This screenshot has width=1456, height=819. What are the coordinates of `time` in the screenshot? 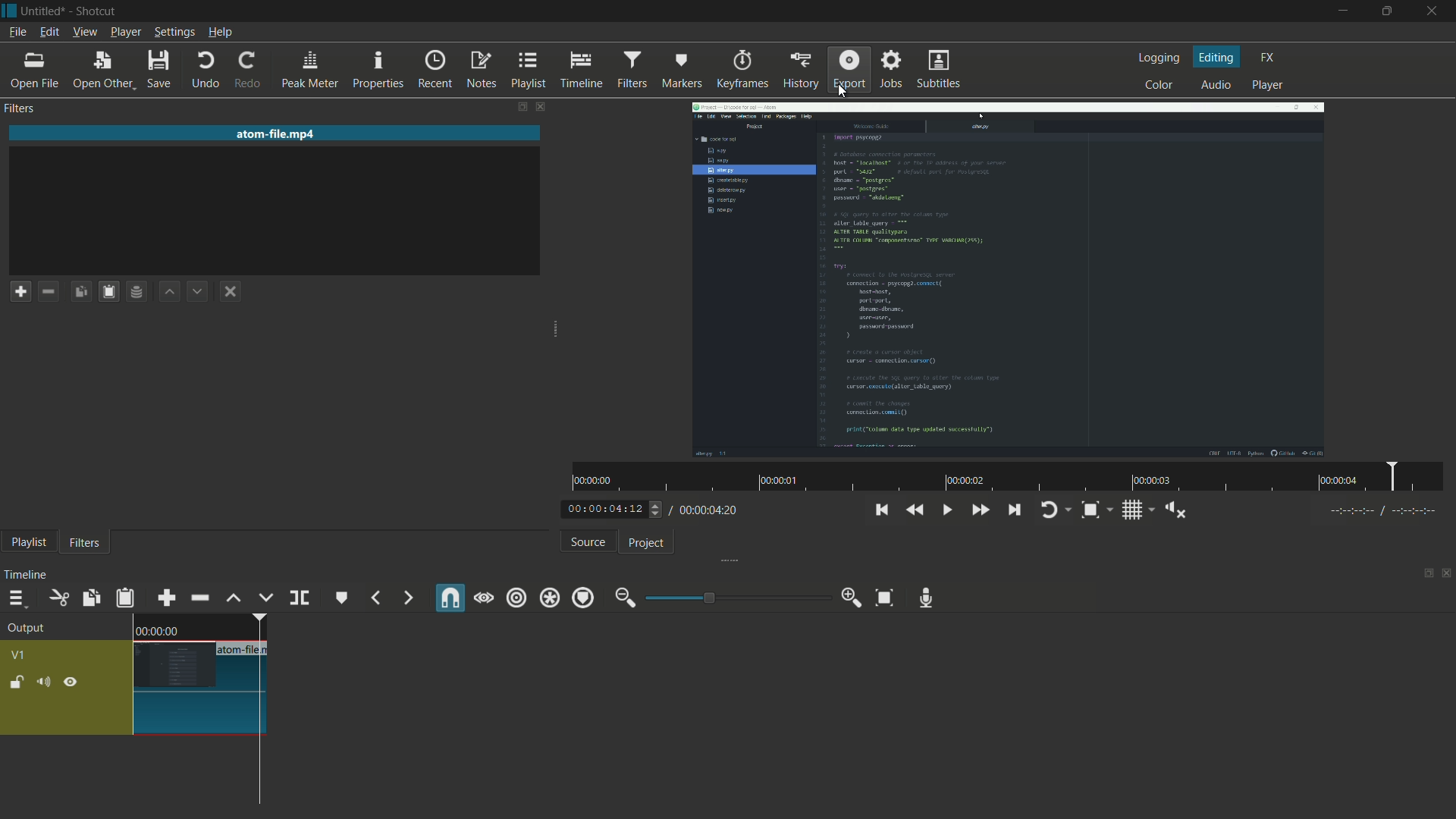 It's located at (1012, 477).